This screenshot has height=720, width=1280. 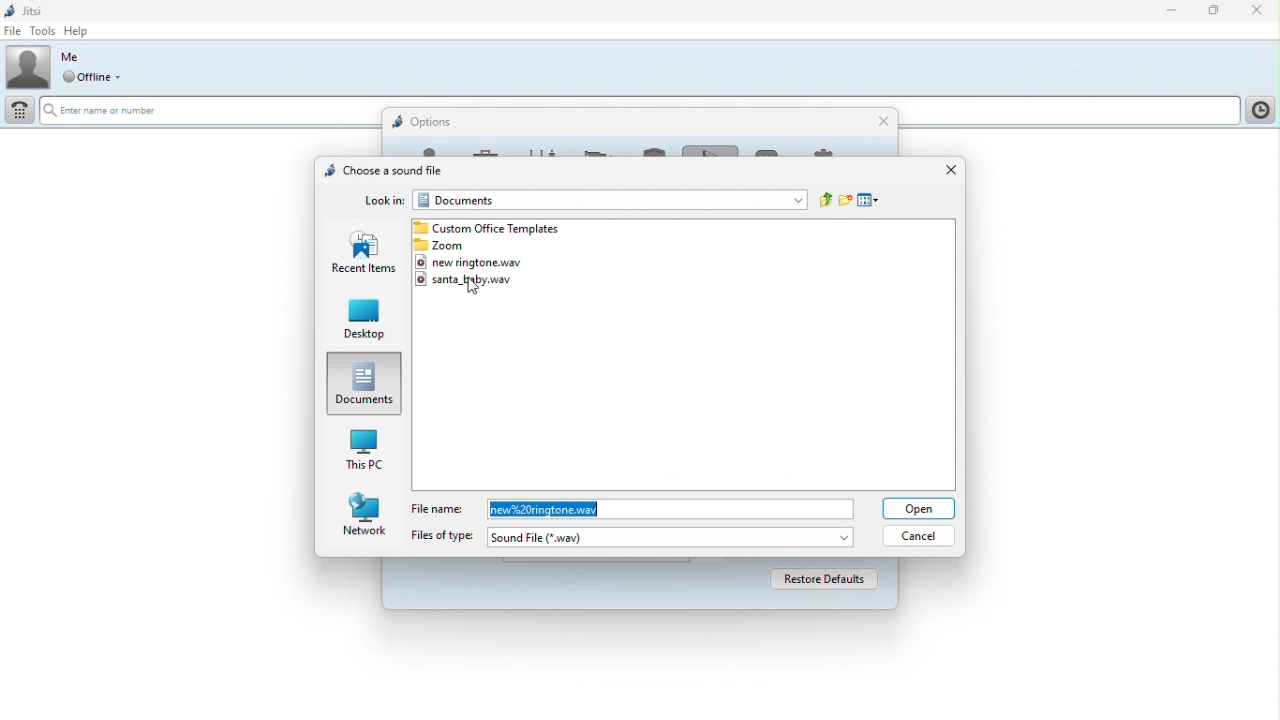 I want to click on Create a new folder, so click(x=846, y=199).